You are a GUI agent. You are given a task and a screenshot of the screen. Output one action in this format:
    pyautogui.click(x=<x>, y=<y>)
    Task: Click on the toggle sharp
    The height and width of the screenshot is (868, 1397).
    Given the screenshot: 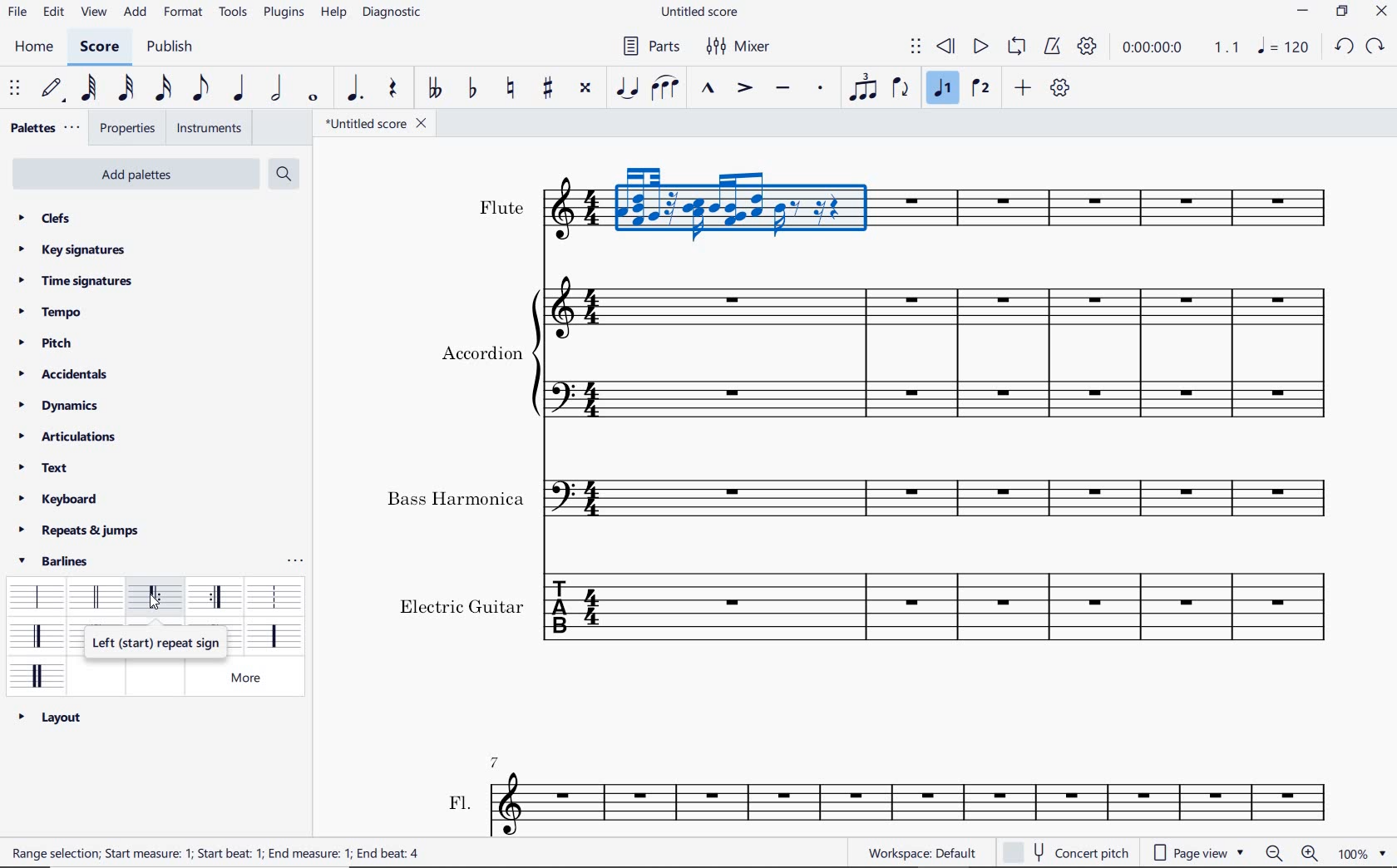 What is the action you would take?
    pyautogui.click(x=550, y=89)
    